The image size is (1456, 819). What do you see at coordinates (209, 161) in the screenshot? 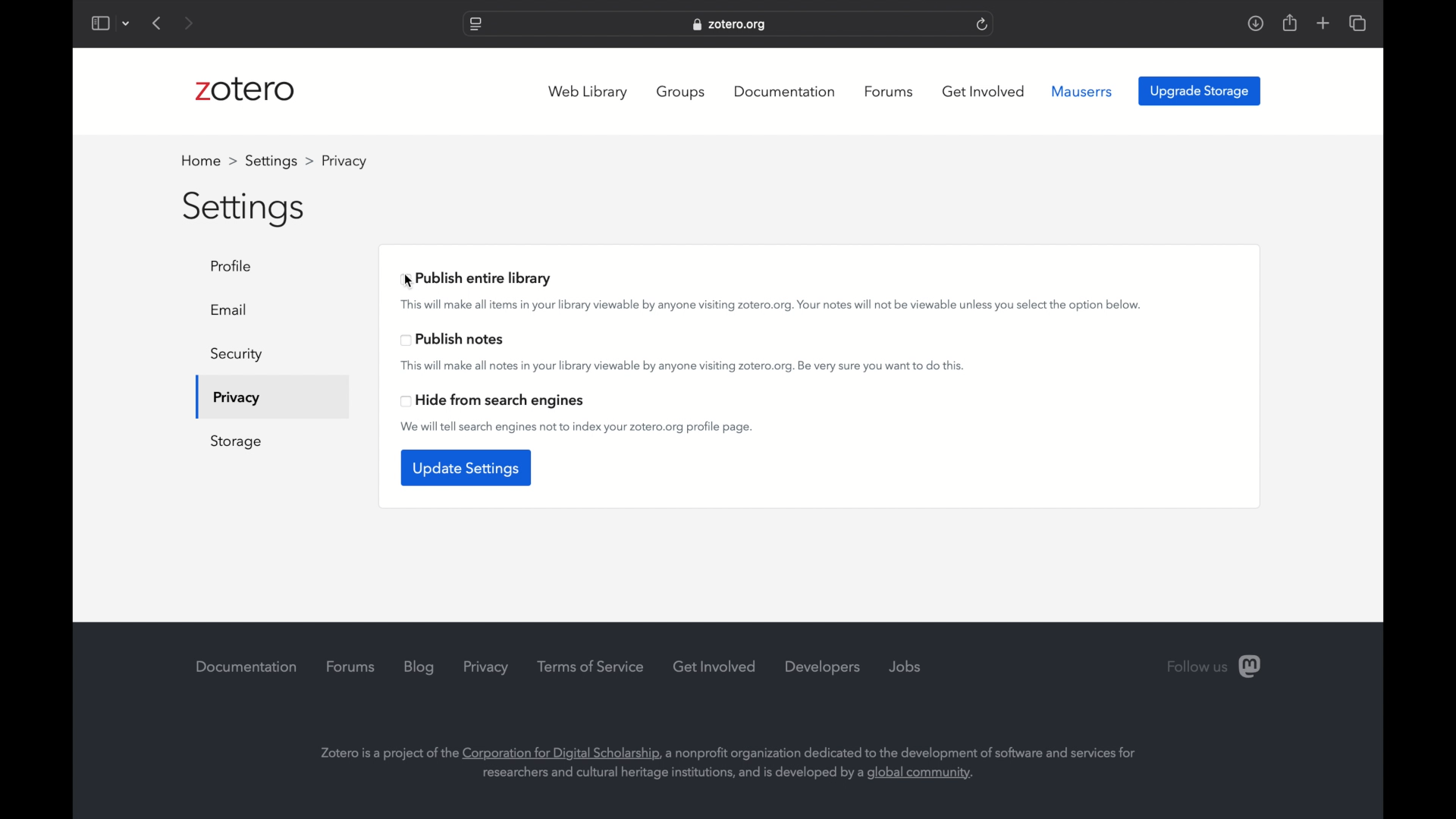
I see `home` at bounding box center [209, 161].